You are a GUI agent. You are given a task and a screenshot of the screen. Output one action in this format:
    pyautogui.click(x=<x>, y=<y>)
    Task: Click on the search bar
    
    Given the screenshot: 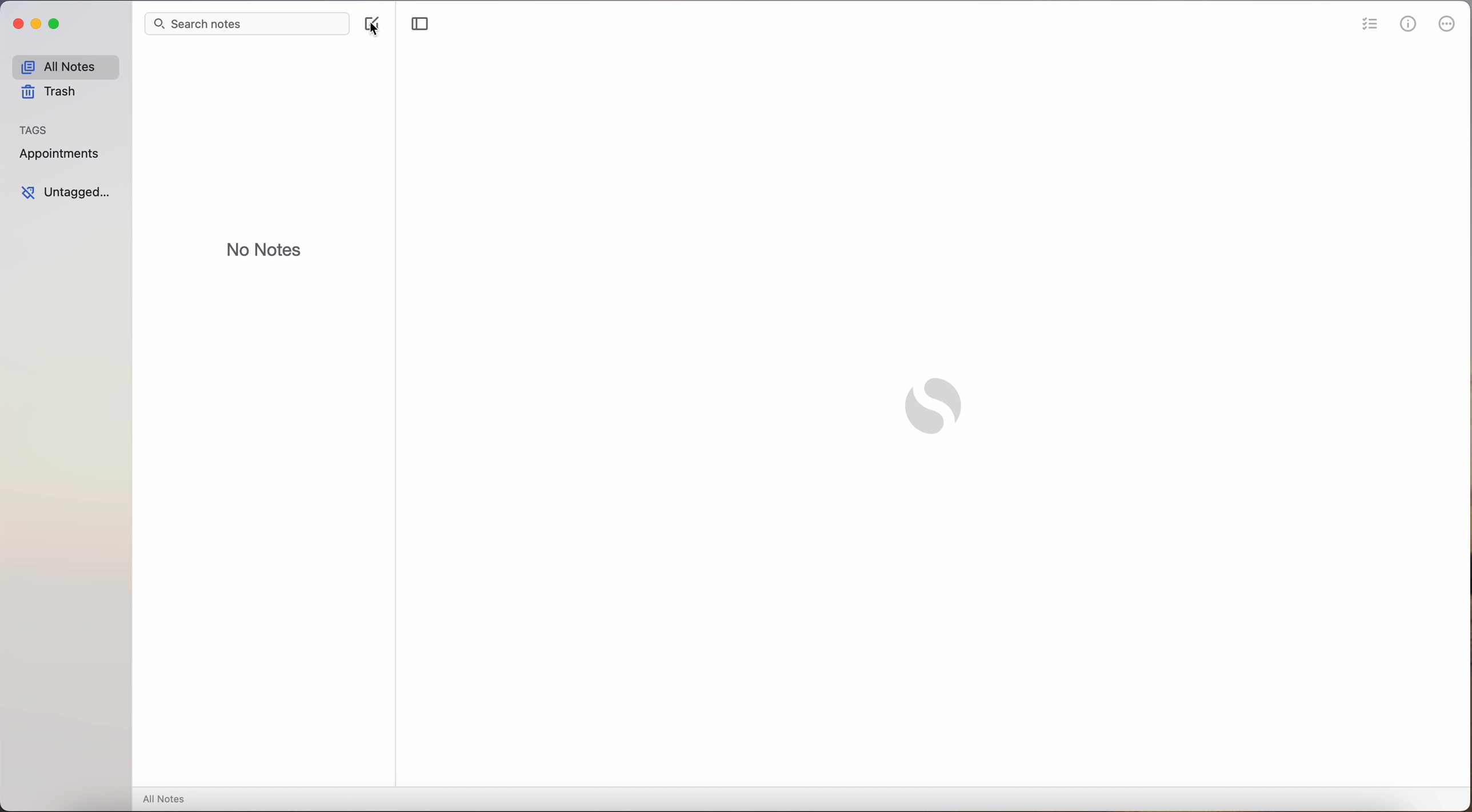 What is the action you would take?
    pyautogui.click(x=246, y=25)
    